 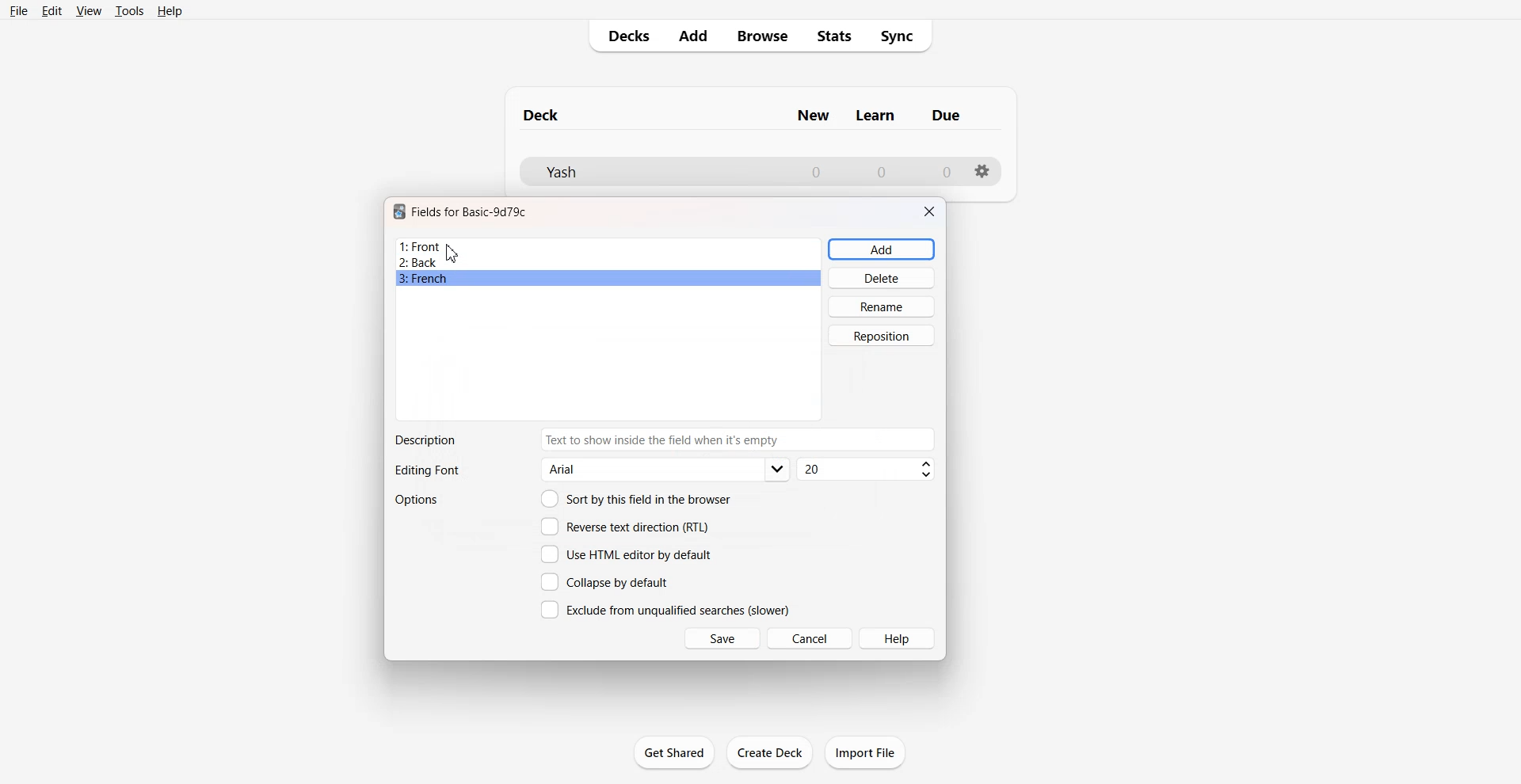 What do you see at coordinates (425, 440) in the screenshot?
I see `Text` at bounding box center [425, 440].